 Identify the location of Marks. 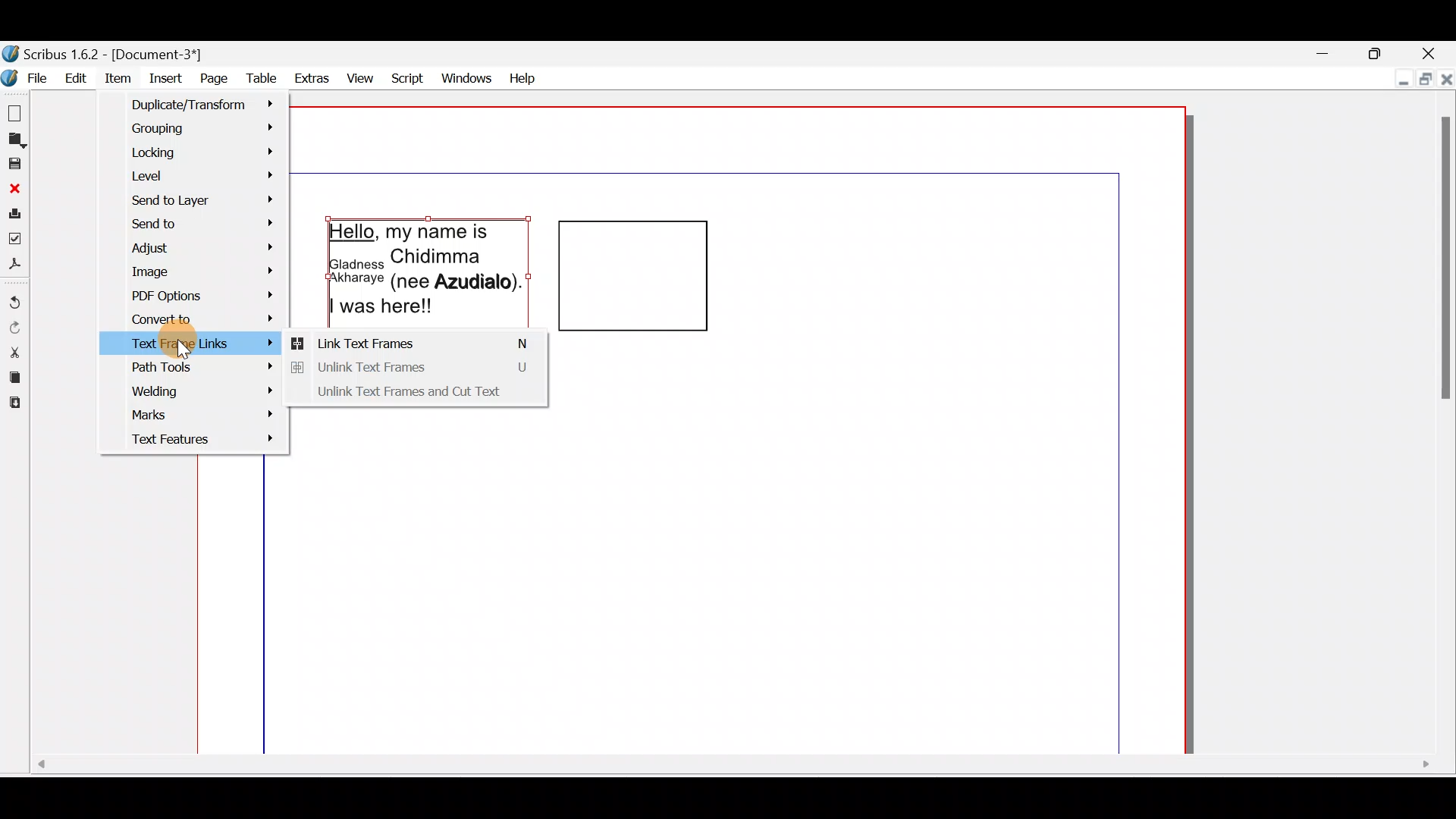
(193, 414).